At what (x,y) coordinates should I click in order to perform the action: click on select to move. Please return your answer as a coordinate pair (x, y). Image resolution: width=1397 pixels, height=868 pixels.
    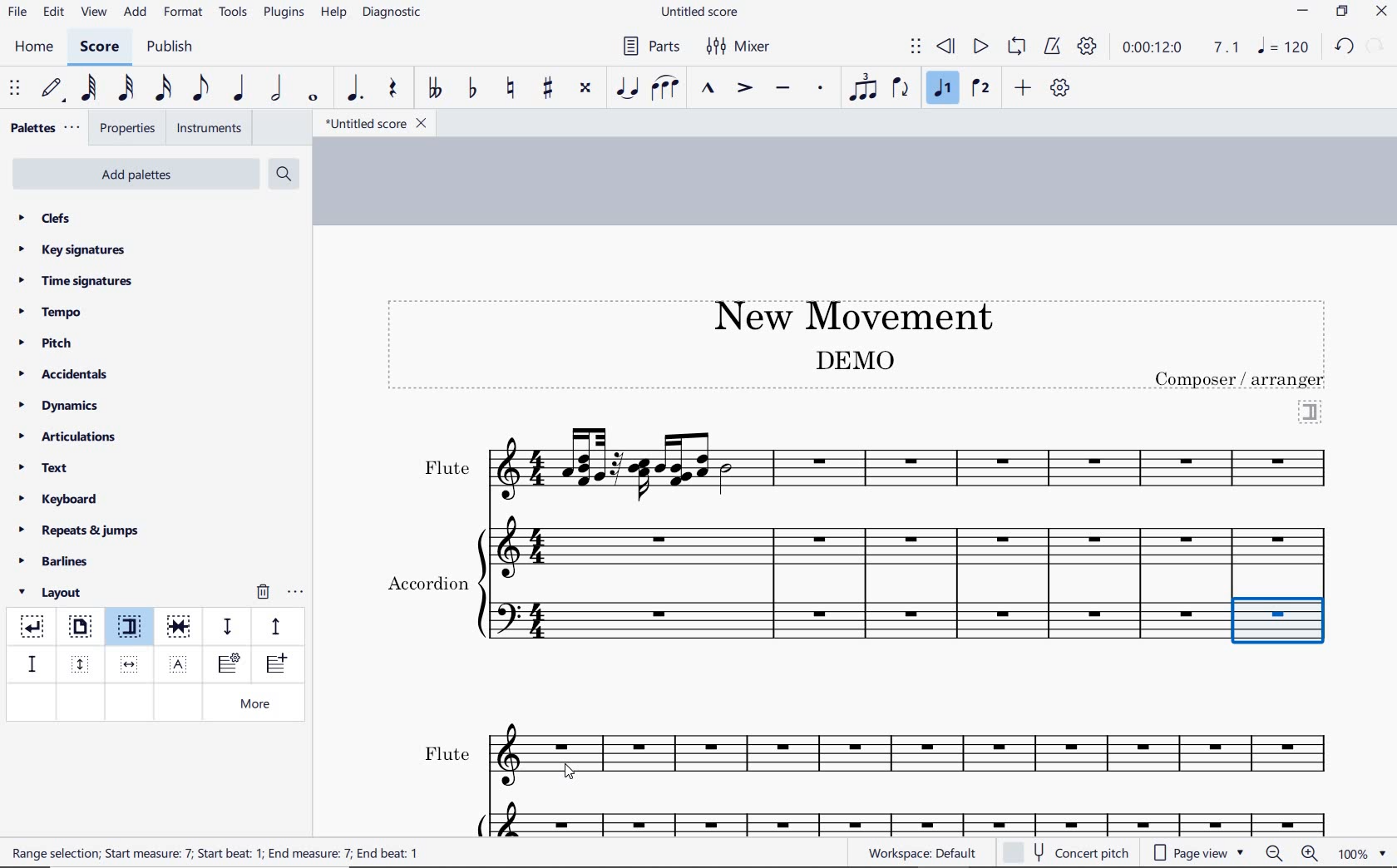
    Looking at the image, I should click on (916, 47).